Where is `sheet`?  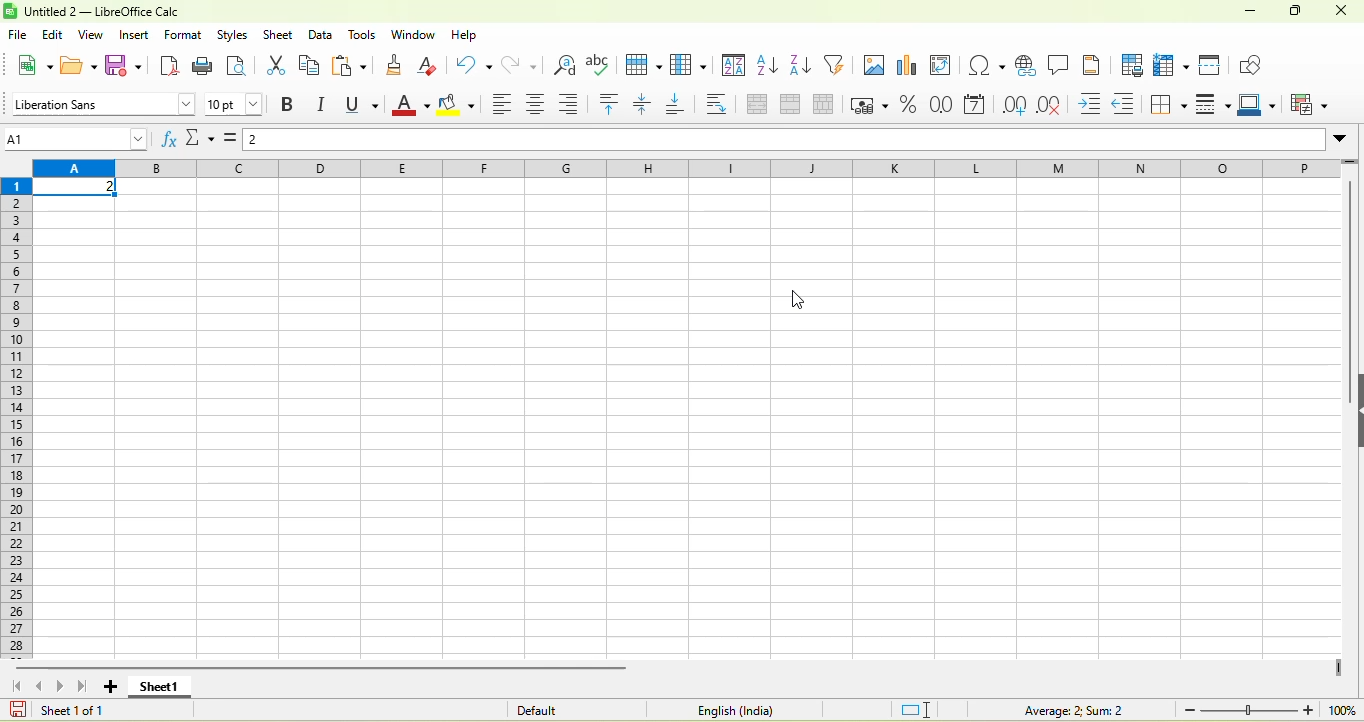 sheet is located at coordinates (278, 35).